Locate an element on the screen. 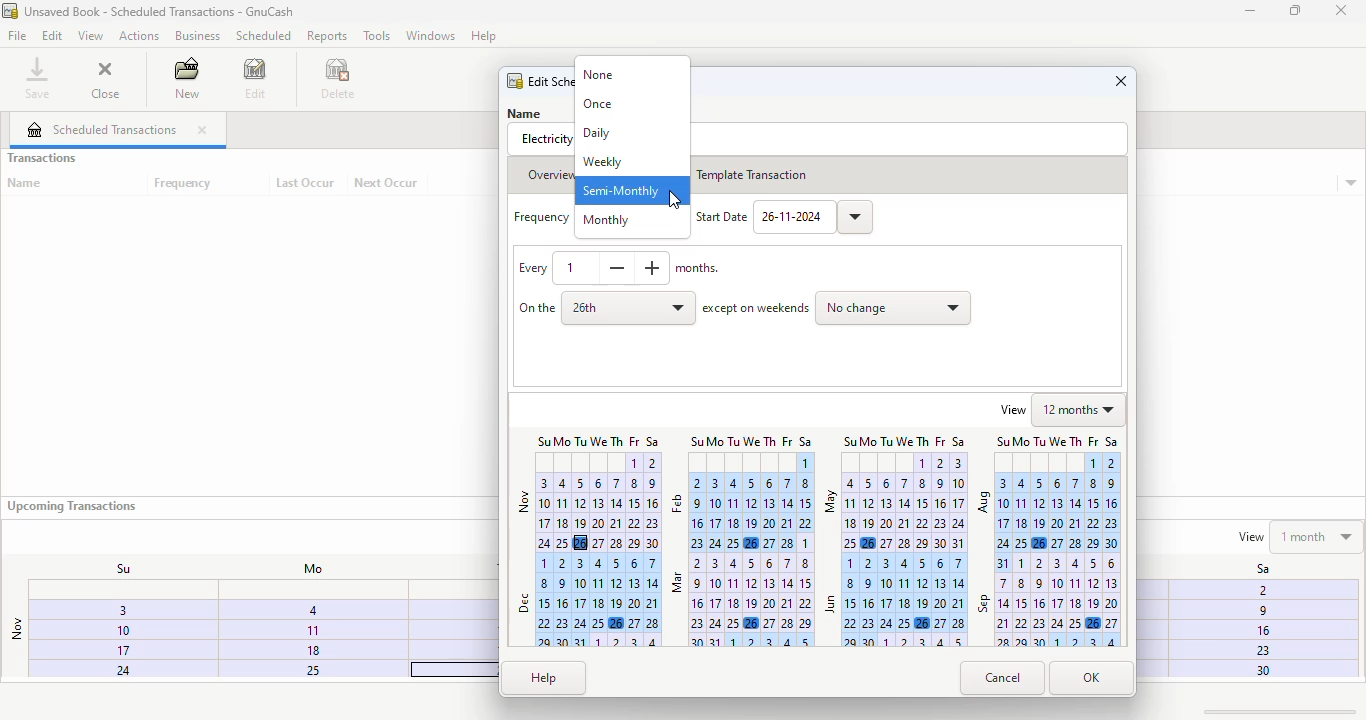  1 is located at coordinates (572, 266).